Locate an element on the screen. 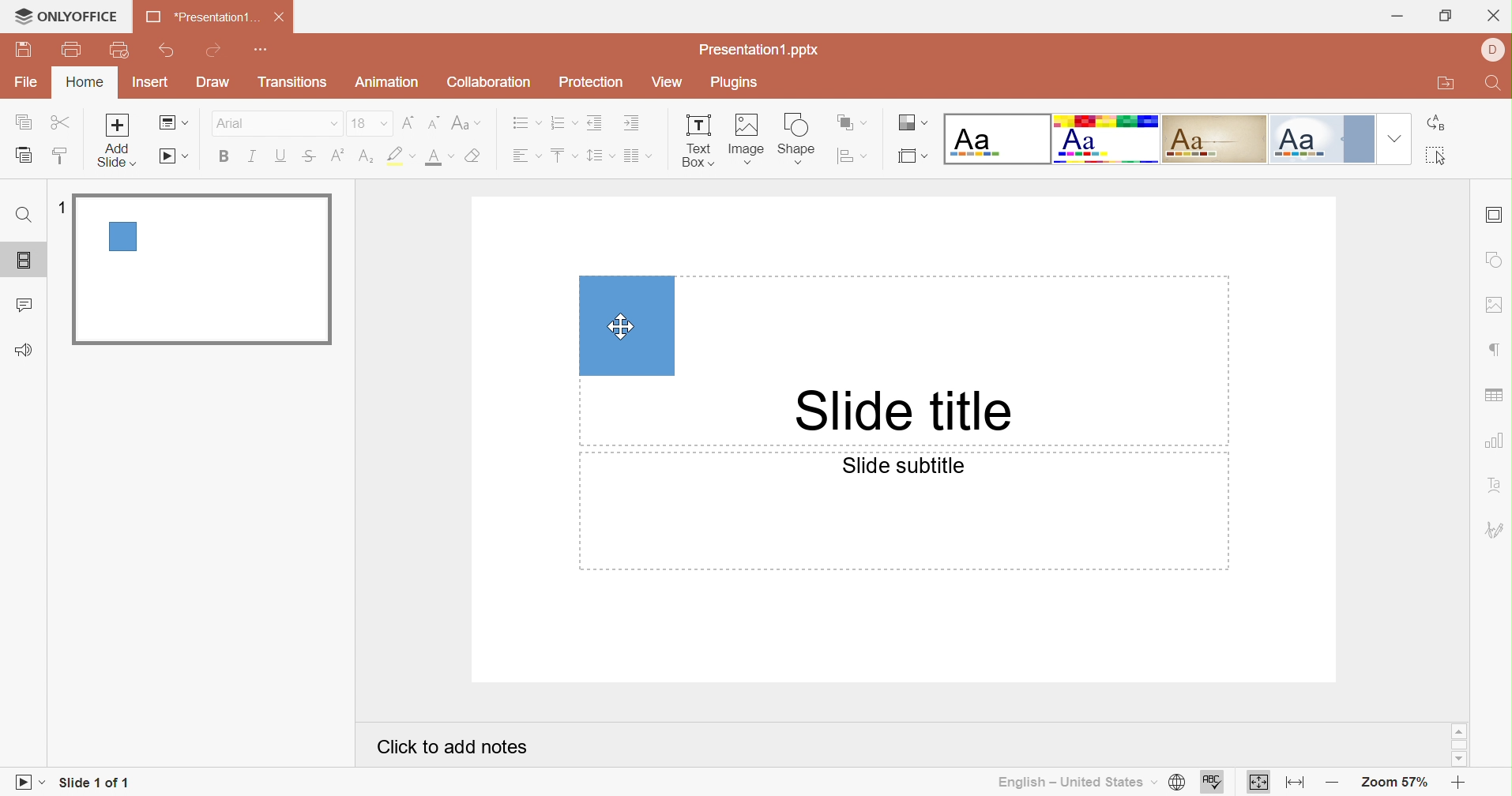  Minimize is located at coordinates (1401, 19).